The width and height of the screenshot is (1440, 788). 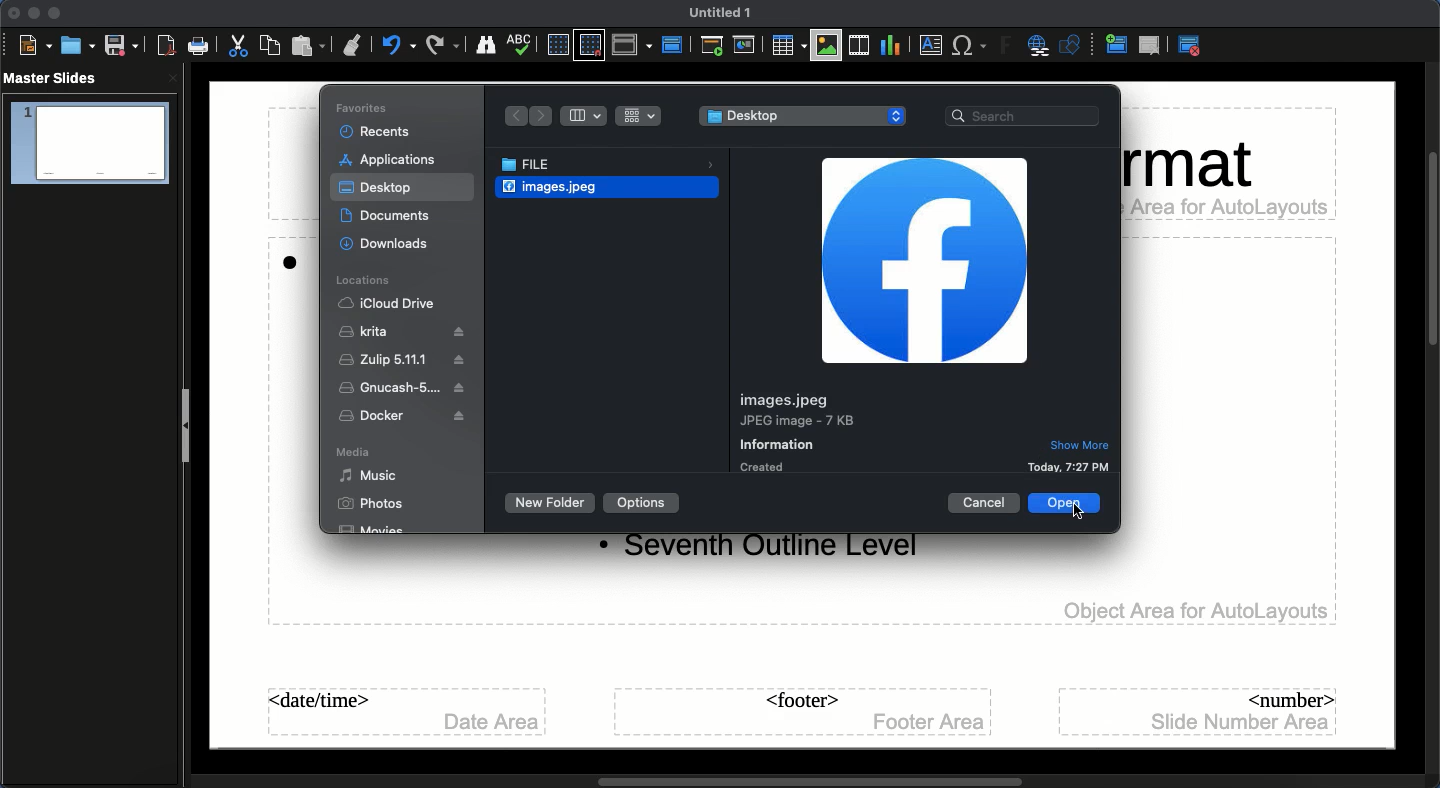 I want to click on FILE, so click(x=612, y=165).